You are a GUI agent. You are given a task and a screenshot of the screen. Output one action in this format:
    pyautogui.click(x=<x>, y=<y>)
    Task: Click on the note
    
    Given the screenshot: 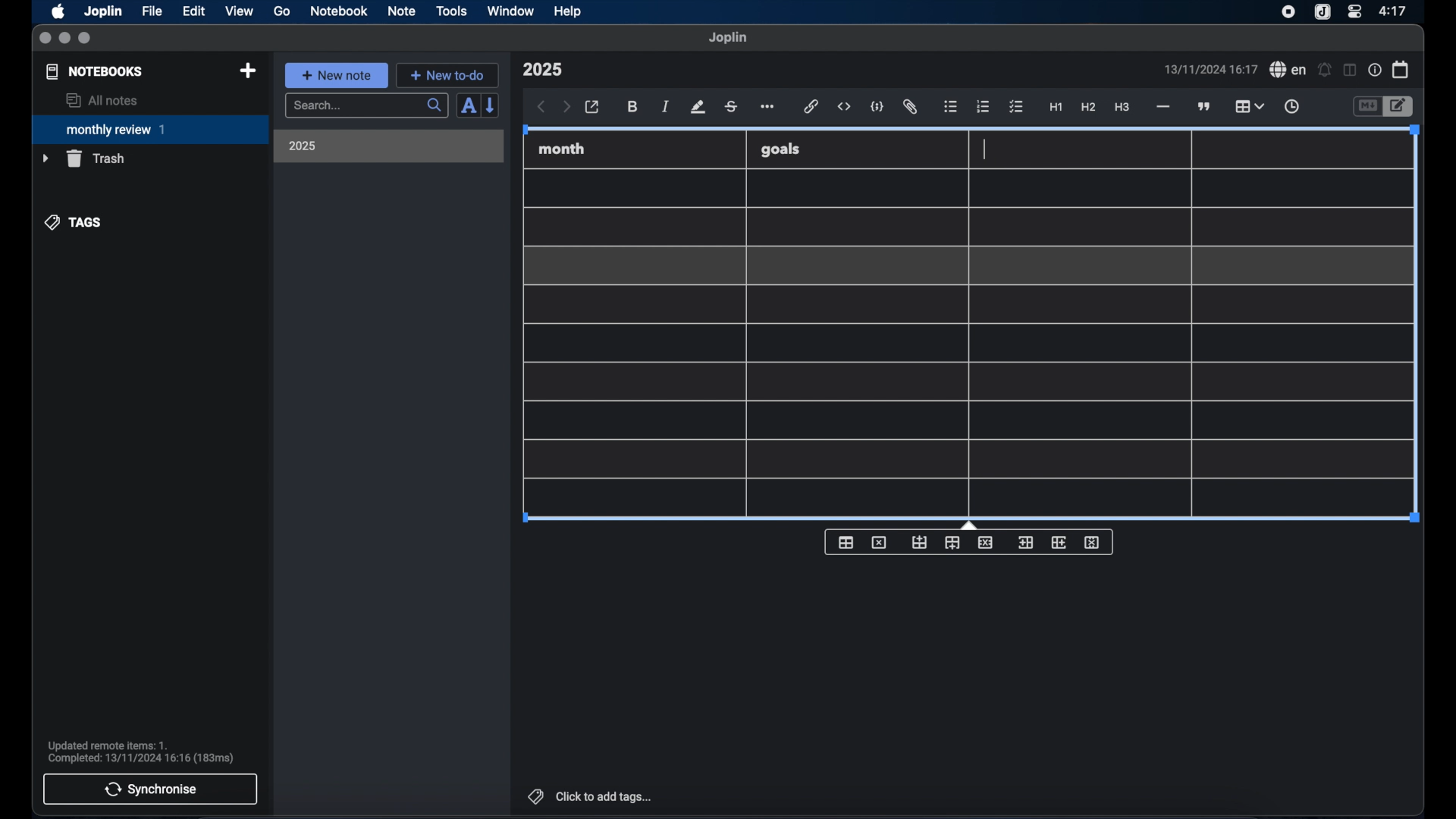 What is the action you would take?
    pyautogui.click(x=402, y=11)
    